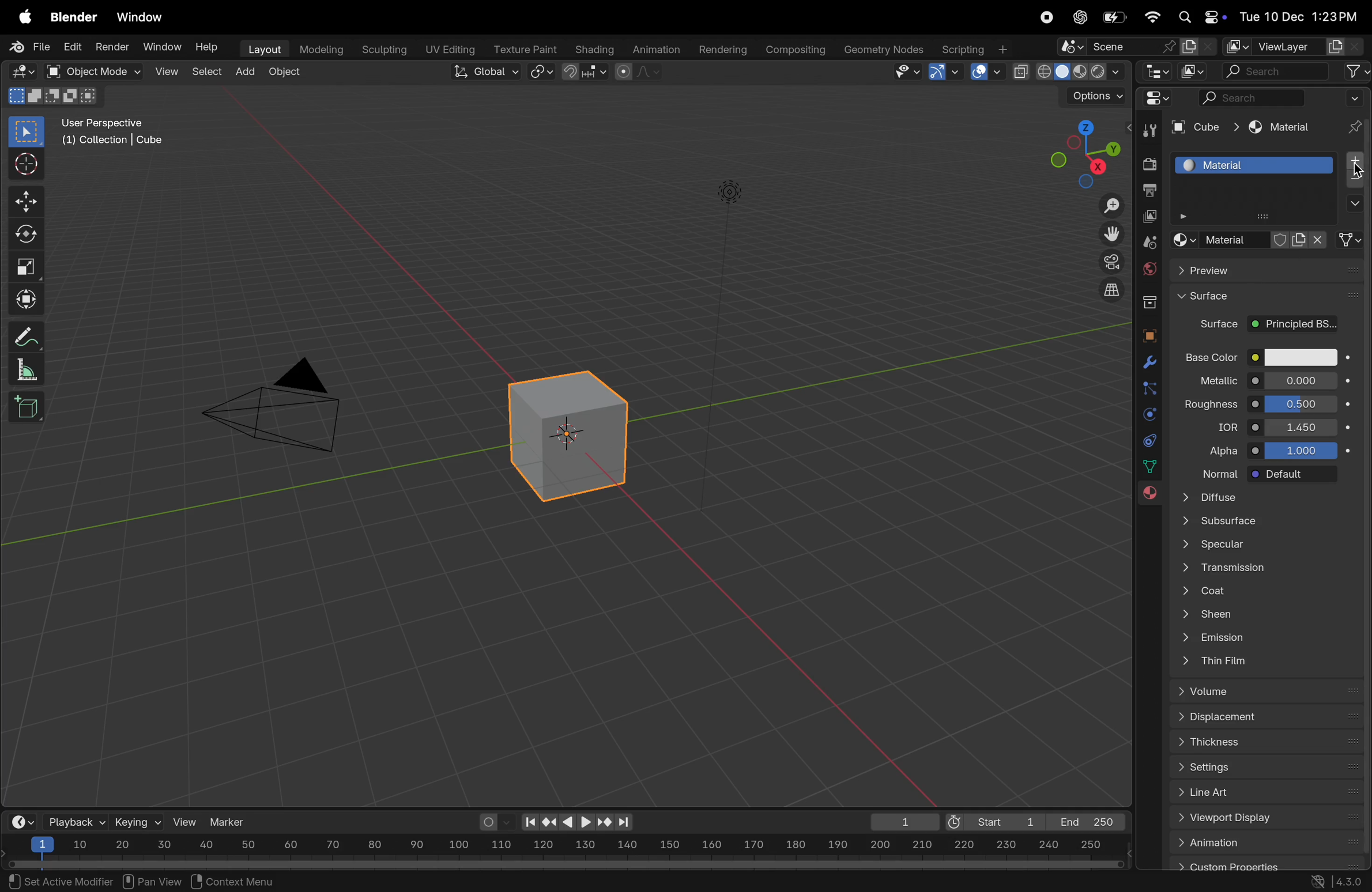 Image resolution: width=1372 pixels, height=892 pixels. Describe the element at coordinates (69, 48) in the screenshot. I see `edit` at that location.